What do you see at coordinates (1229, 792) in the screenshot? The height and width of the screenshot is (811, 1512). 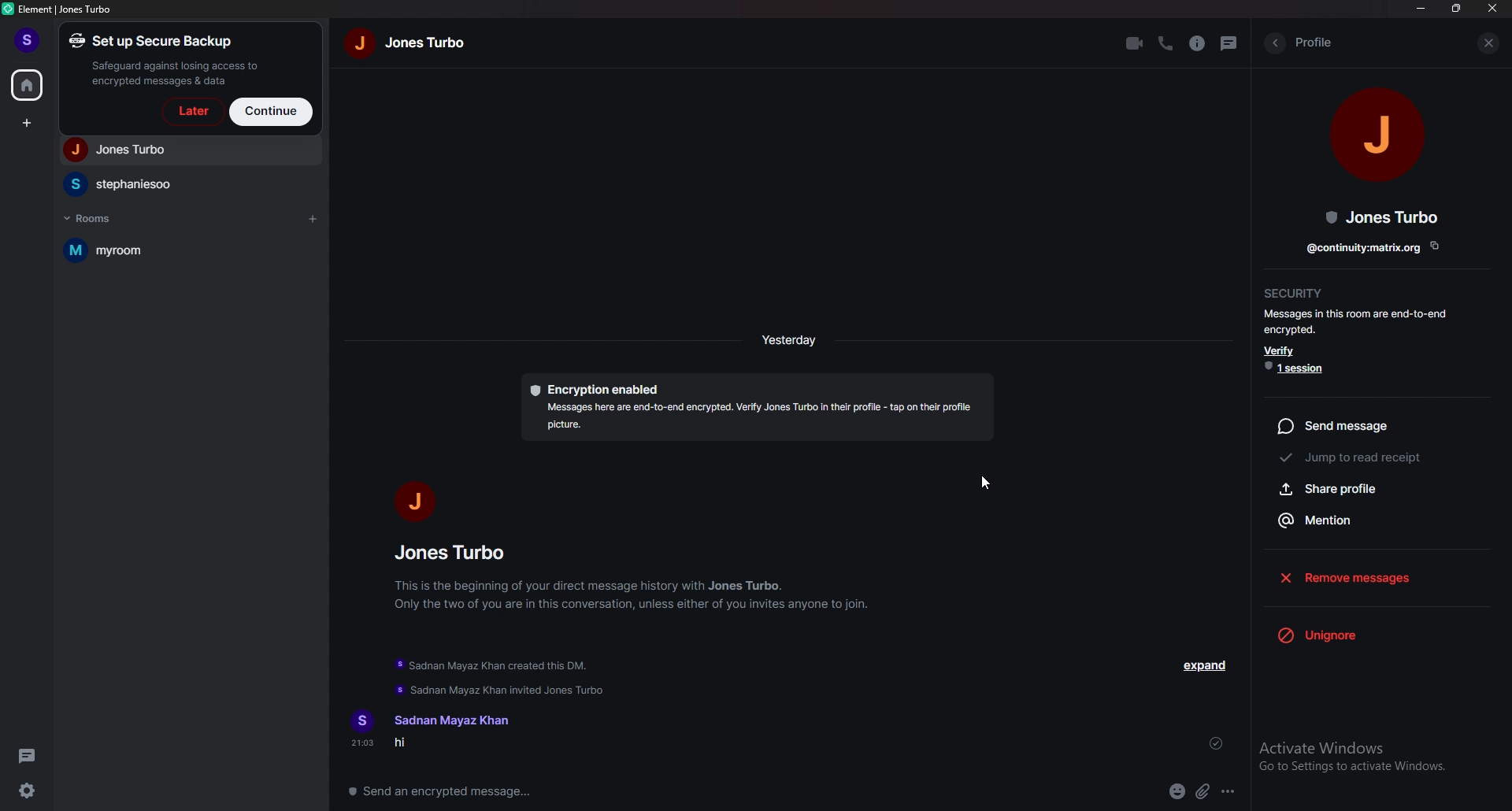 I see `options` at bounding box center [1229, 792].